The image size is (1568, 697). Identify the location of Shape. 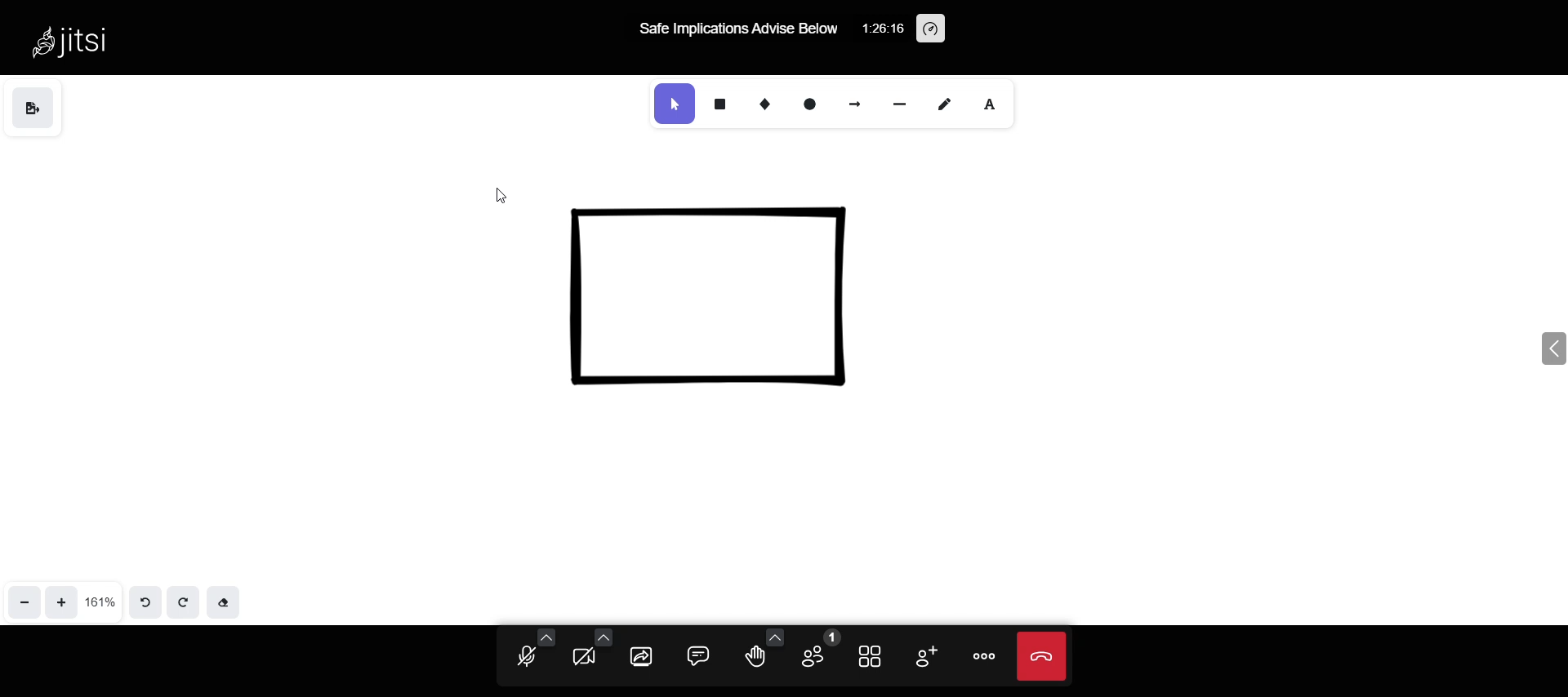
(719, 295).